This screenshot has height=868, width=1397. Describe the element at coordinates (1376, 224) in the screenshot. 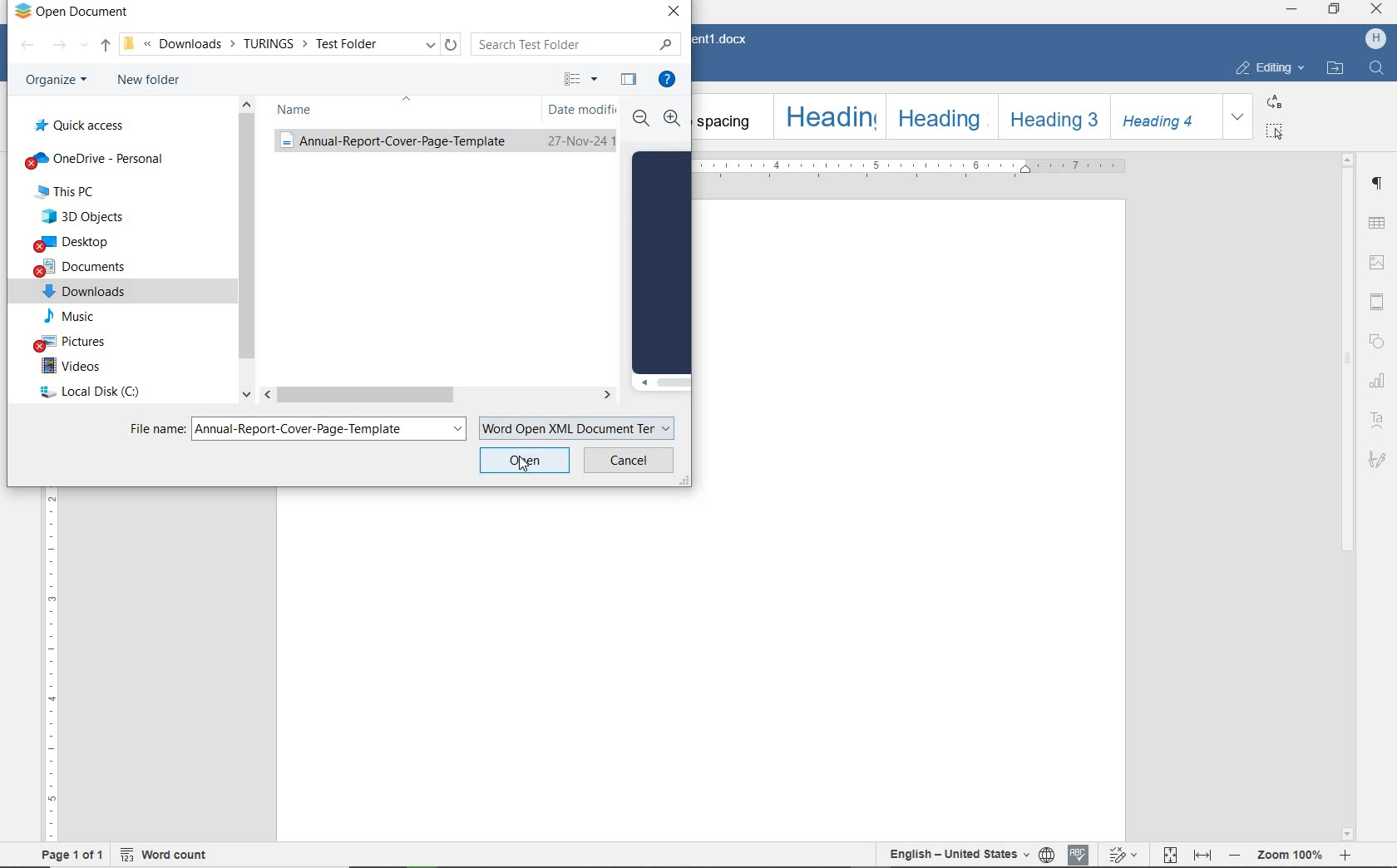

I see `table` at that location.